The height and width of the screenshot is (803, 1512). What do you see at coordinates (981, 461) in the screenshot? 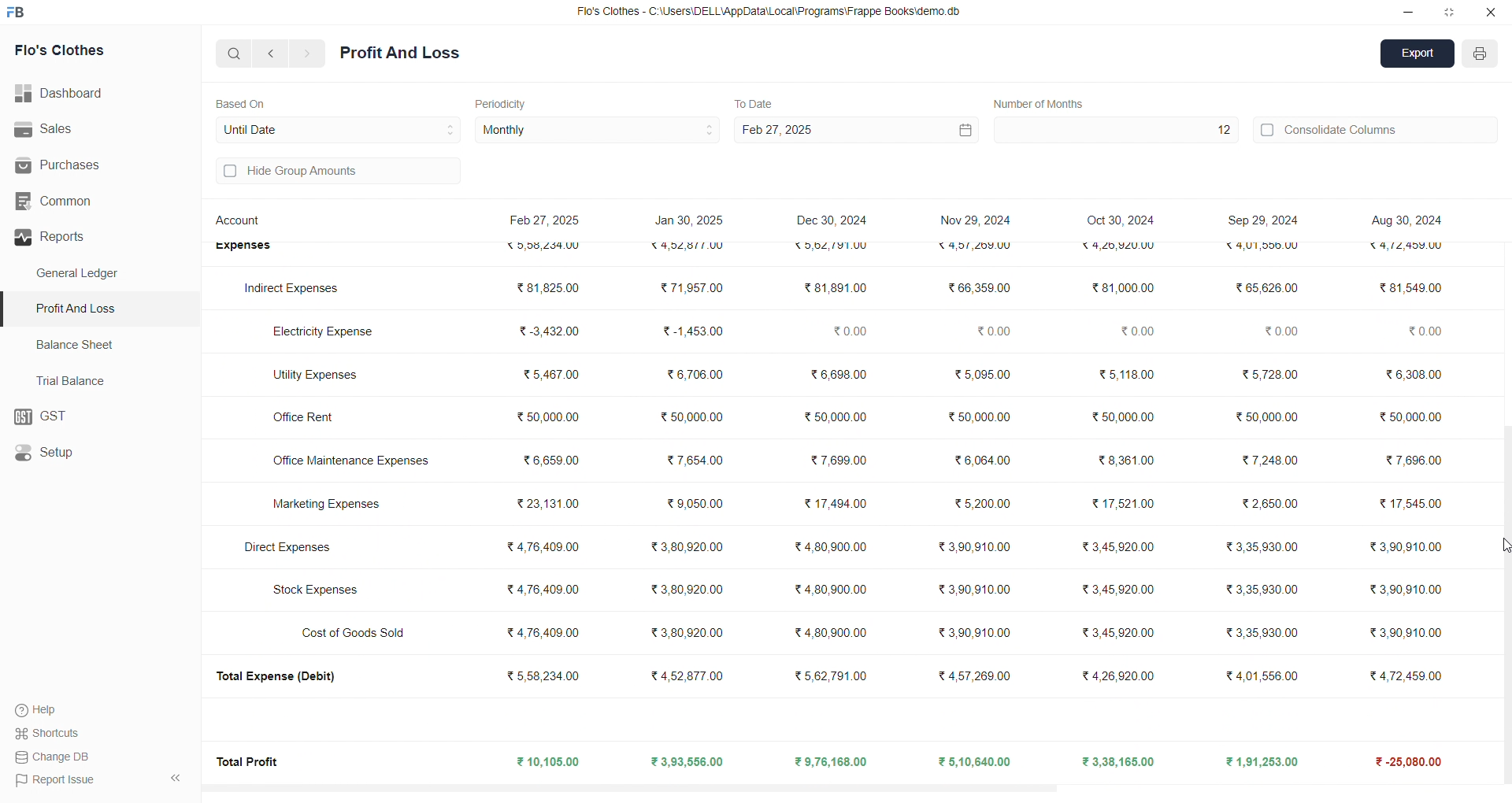
I see `₹6,064.00` at bounding box center [981, 461].